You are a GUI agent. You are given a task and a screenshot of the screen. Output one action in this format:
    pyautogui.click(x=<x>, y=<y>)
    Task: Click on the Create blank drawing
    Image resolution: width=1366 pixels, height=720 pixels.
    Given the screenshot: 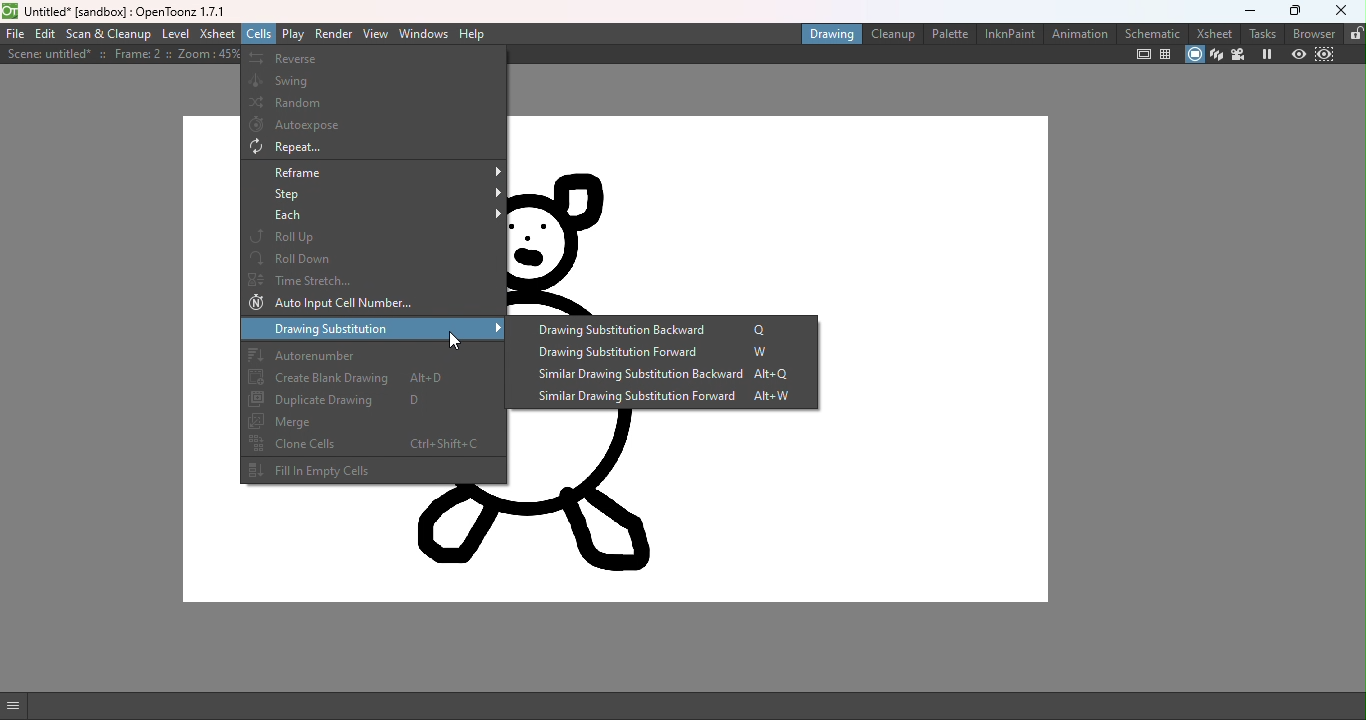 What is the action you would take?
    pyautogui.click(x=372, y=379)
    